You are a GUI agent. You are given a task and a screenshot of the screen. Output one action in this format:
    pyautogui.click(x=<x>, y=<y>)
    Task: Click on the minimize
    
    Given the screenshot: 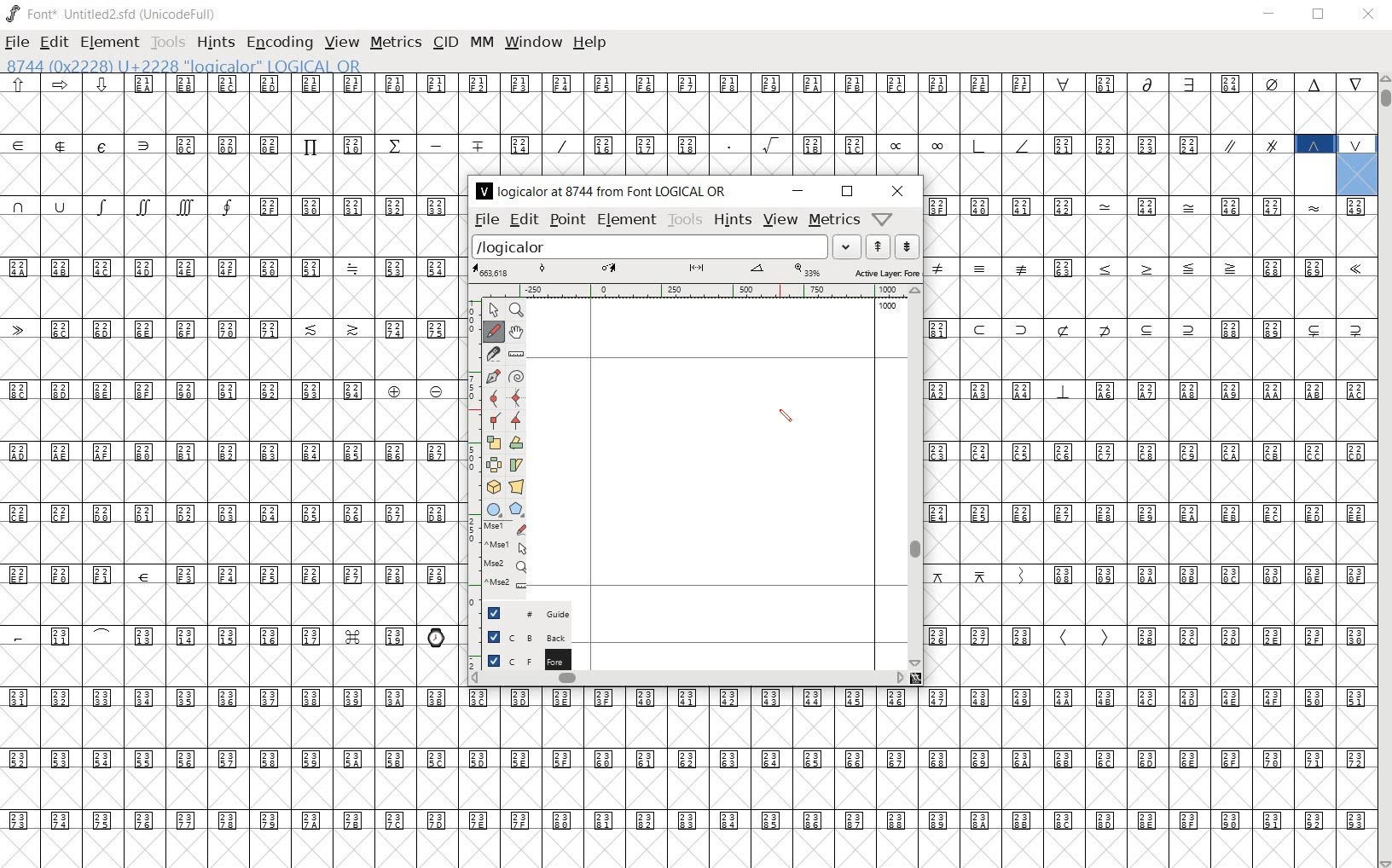 What is the action you would take?
    pyautogui.click(x=1271, y=14)
    